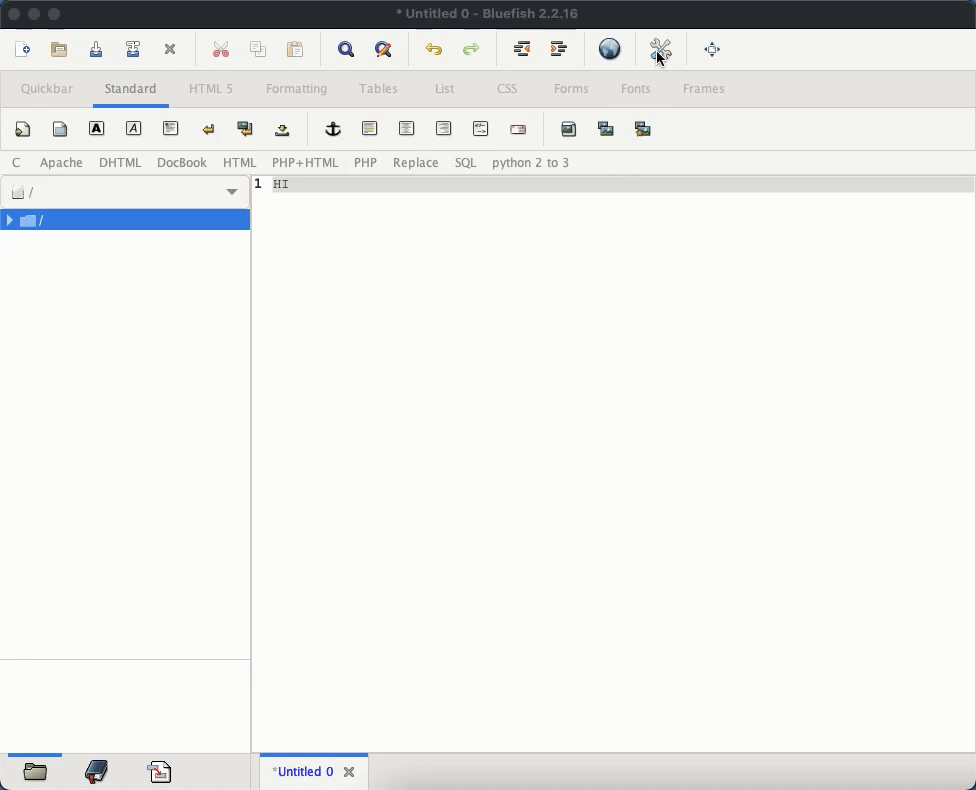  Describe the element at coordinates (472, 48) in the screenshot. I see `redo` at that location.